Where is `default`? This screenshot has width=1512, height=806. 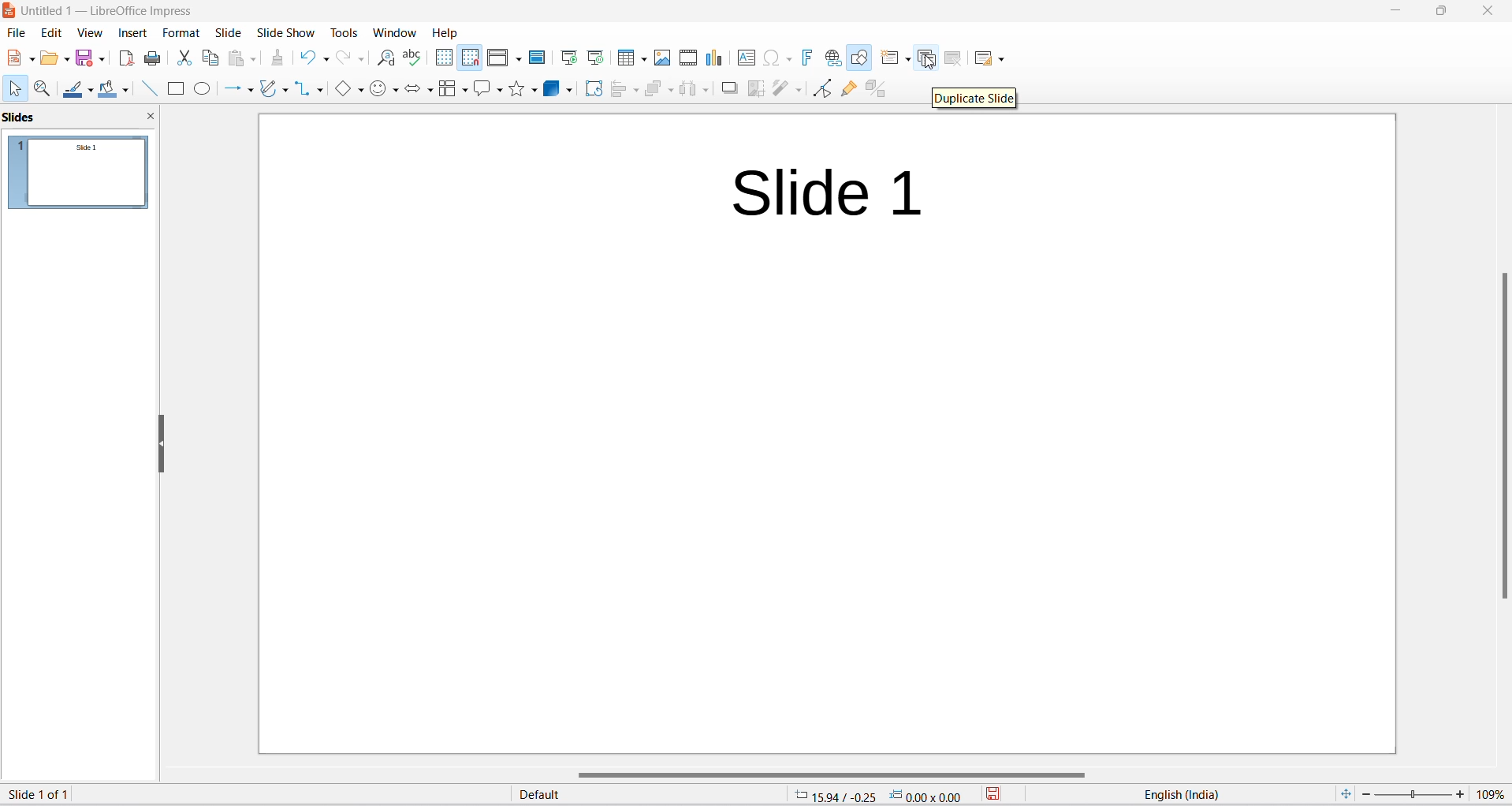
default is located at coordinates (583, 797).